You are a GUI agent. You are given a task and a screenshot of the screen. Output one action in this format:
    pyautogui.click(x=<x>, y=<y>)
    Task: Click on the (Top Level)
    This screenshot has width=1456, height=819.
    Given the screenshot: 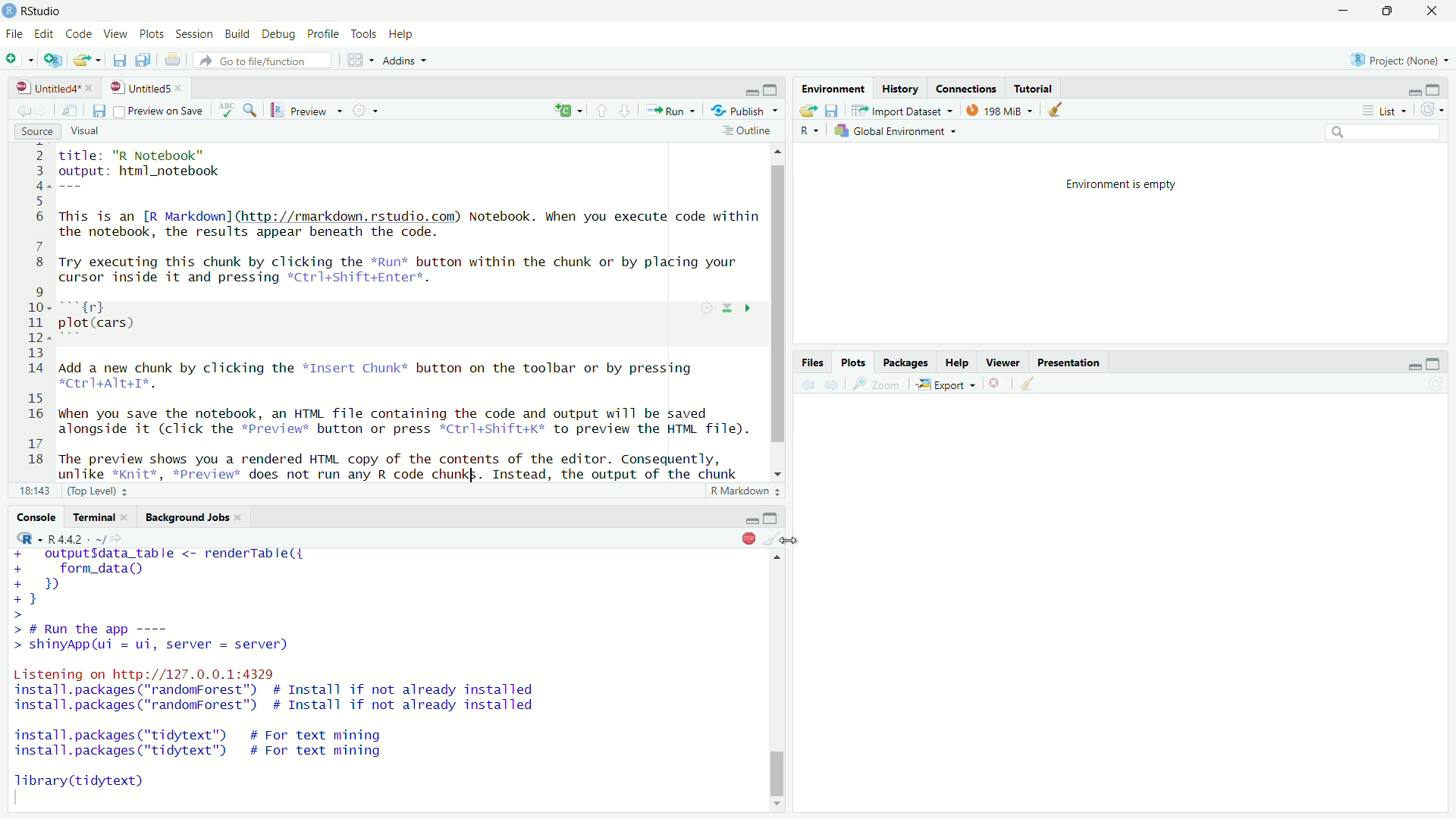 What is the action you would take?
    pyautogui.click(x=100, y=490)
    